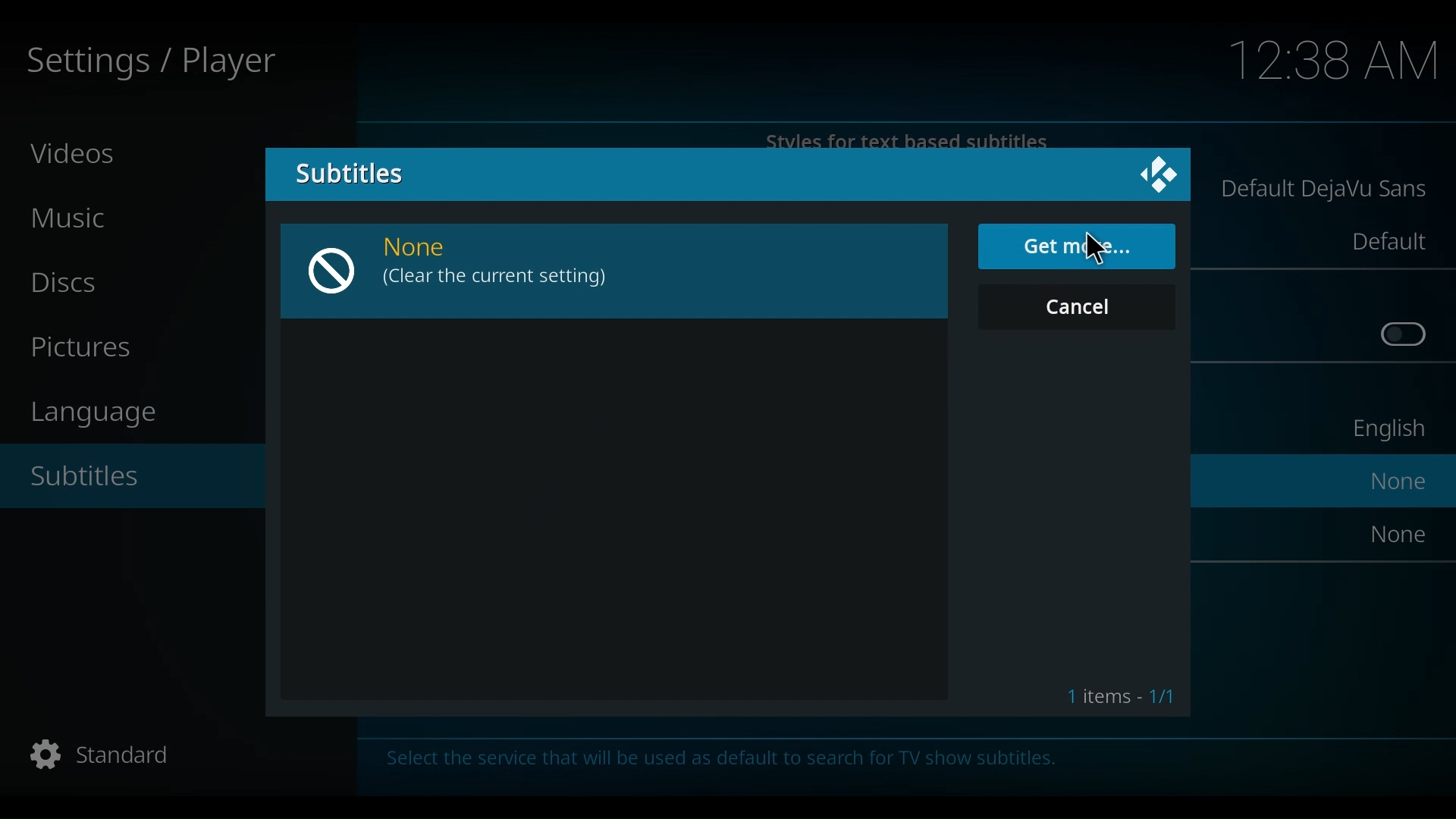 The height and width of the screenshot is (819, 1456). Describe the element at coordinates (75, 152) in the screenshot. I see `Videos` at that location.